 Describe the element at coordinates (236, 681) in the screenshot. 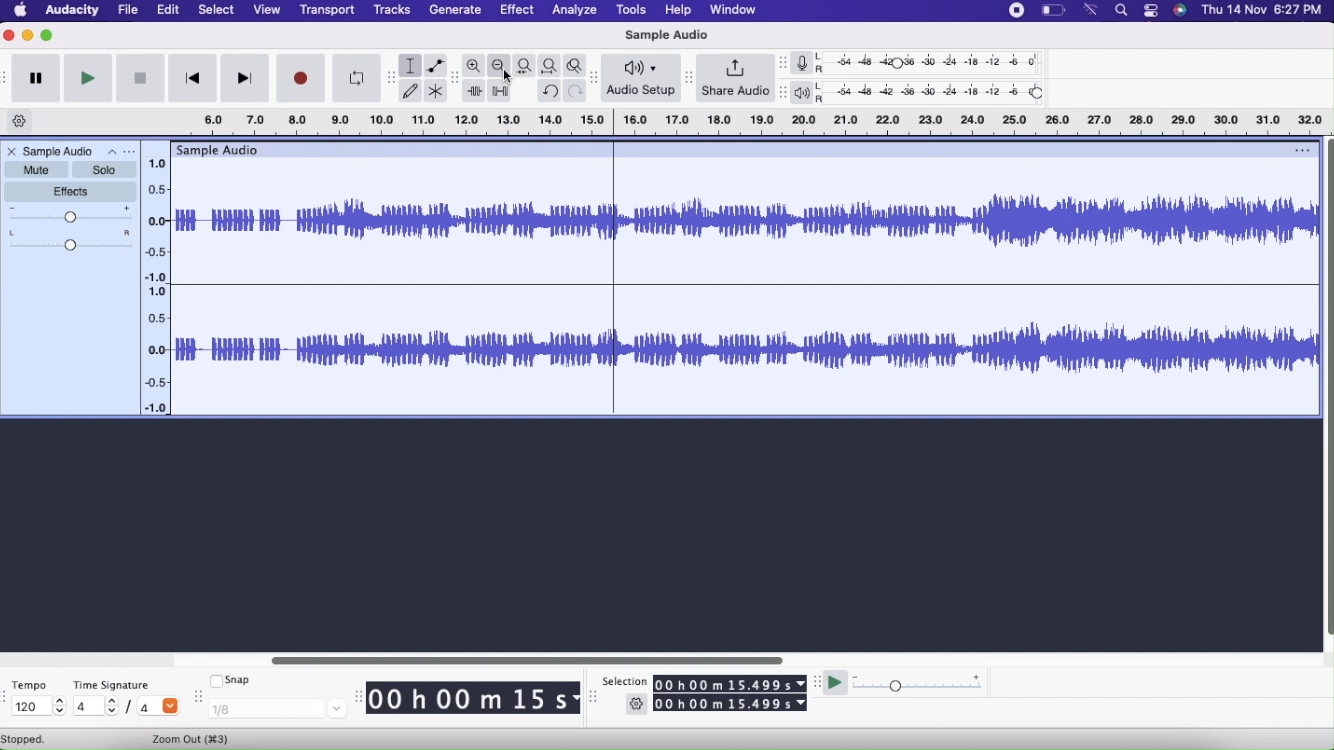

I see `Snap` at that location.